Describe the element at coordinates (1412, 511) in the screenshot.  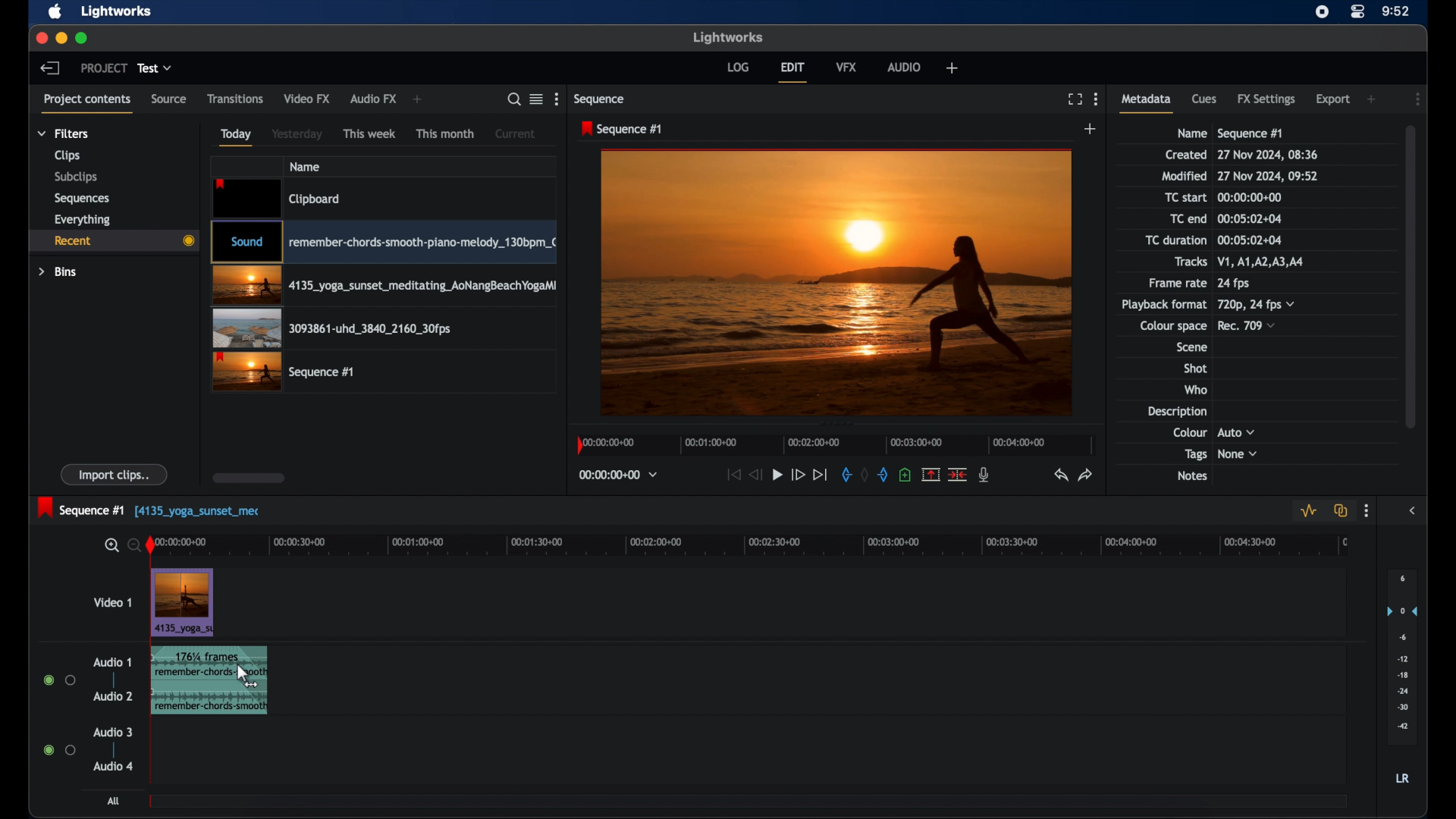
I see `sidebar` at that location.